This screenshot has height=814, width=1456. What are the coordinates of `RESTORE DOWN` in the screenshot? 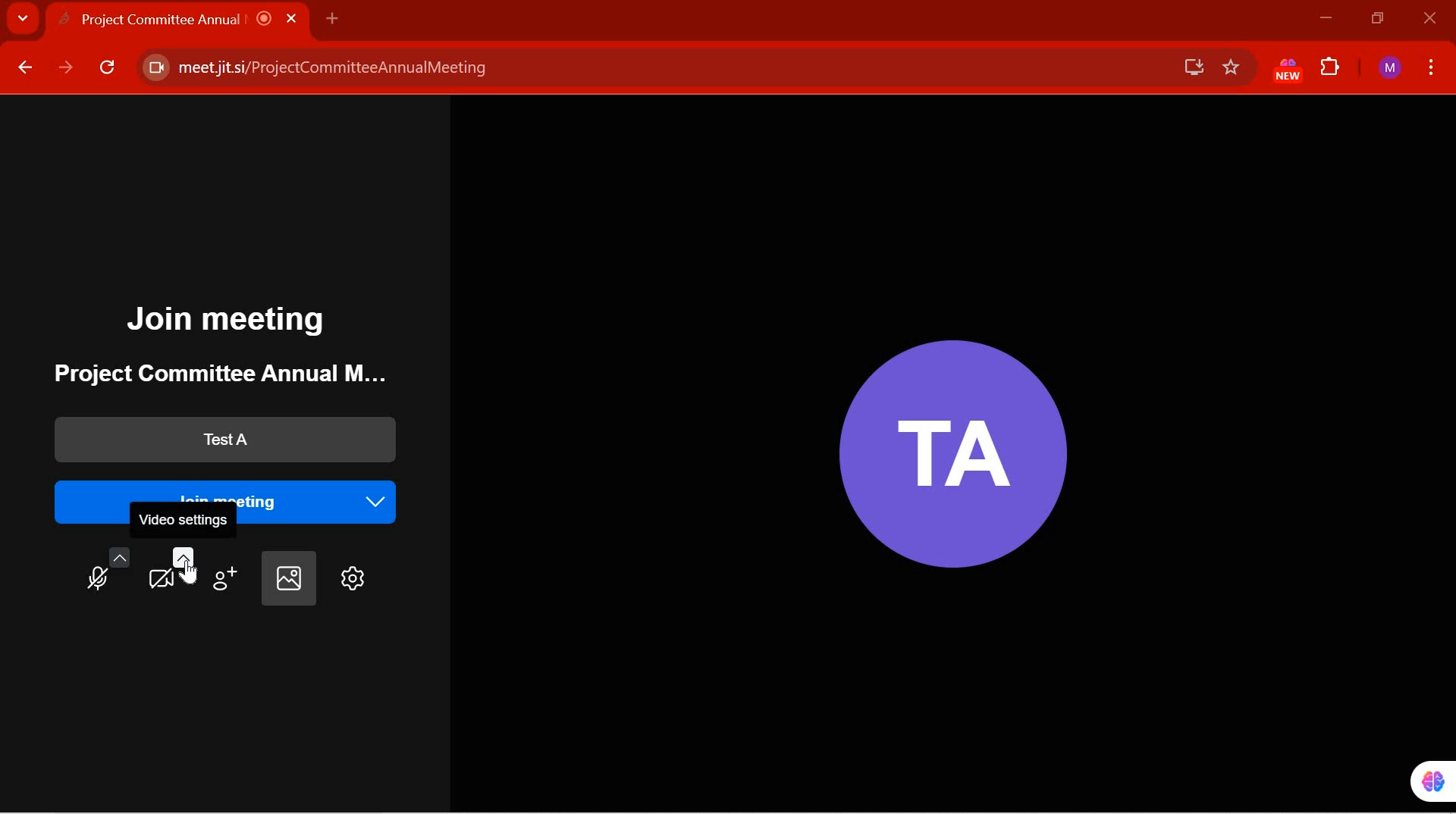 It's located at (1379, 19).